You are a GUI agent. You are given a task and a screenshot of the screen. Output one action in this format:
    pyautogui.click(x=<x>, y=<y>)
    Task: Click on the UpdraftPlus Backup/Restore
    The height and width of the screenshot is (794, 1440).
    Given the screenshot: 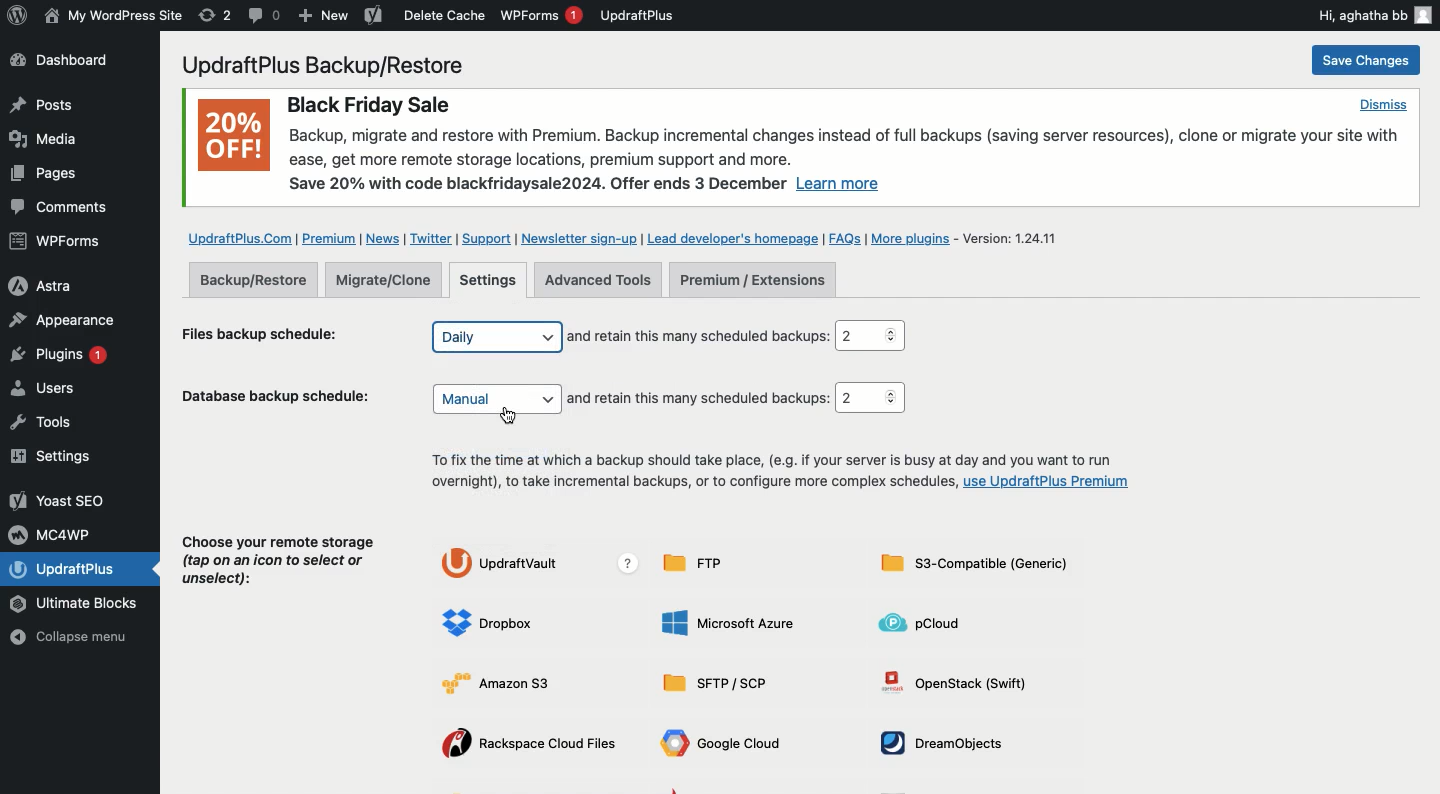 What is the action you would take?
    pyautogui.click(x=335, y=65)
    